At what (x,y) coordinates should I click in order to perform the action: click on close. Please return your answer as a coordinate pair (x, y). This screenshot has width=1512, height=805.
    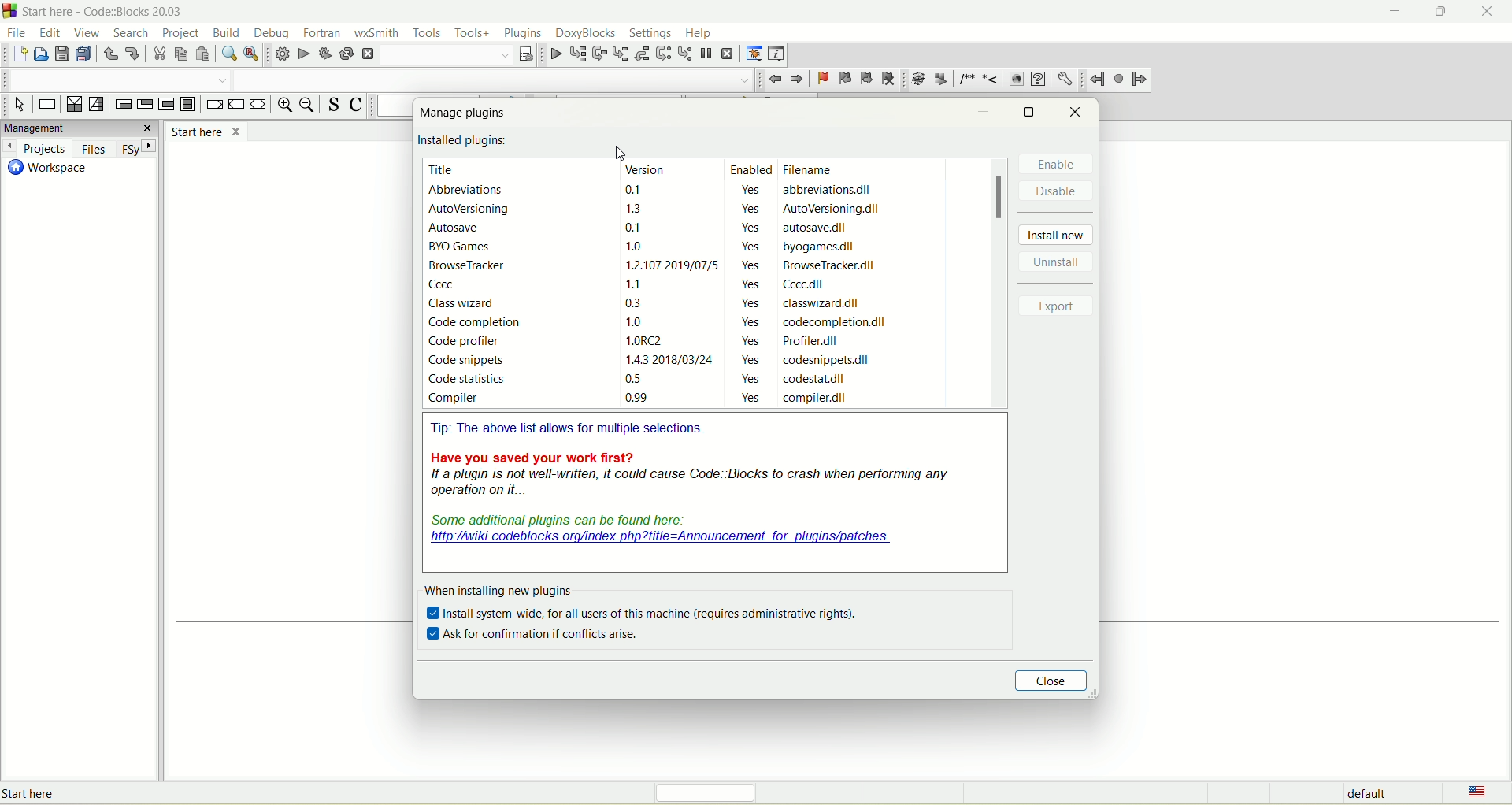
    Looking at the image, I should click on (1491, 12).